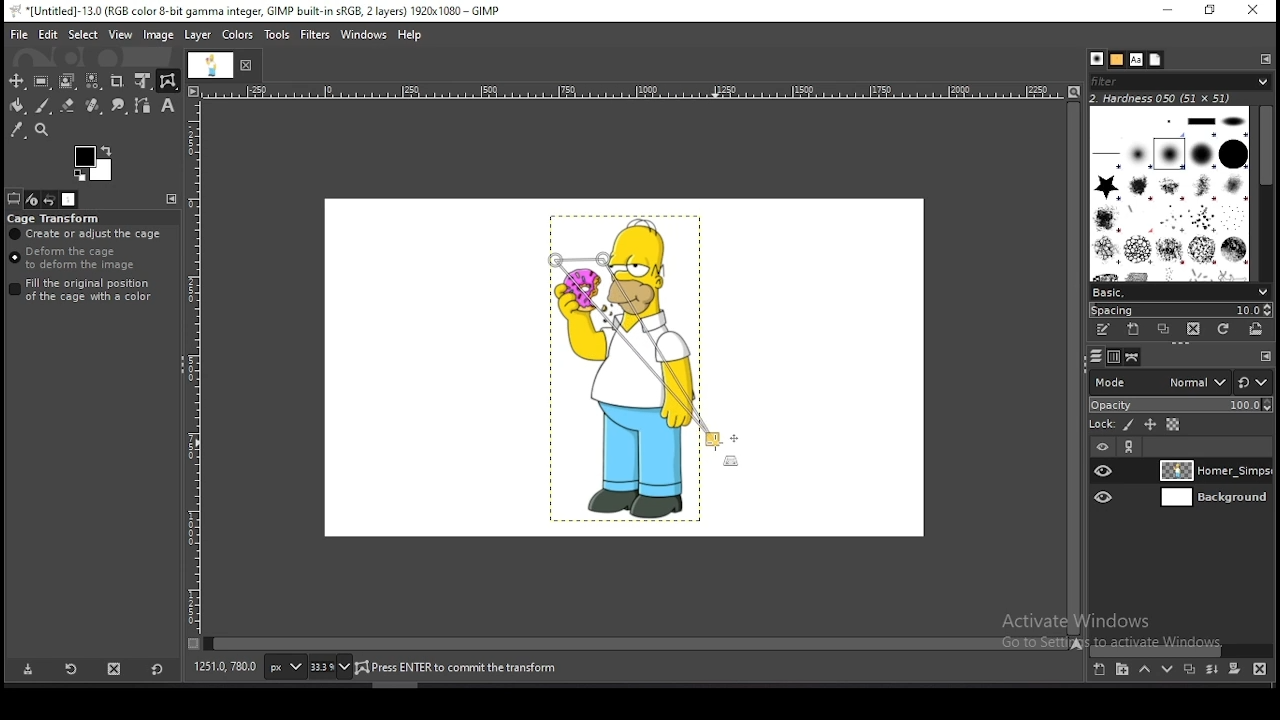 The image size is (1280, 720). What do you see at coordinates (41, 129) in the screenshot?
I see `zoom tool` at bounding box center [41, 129].